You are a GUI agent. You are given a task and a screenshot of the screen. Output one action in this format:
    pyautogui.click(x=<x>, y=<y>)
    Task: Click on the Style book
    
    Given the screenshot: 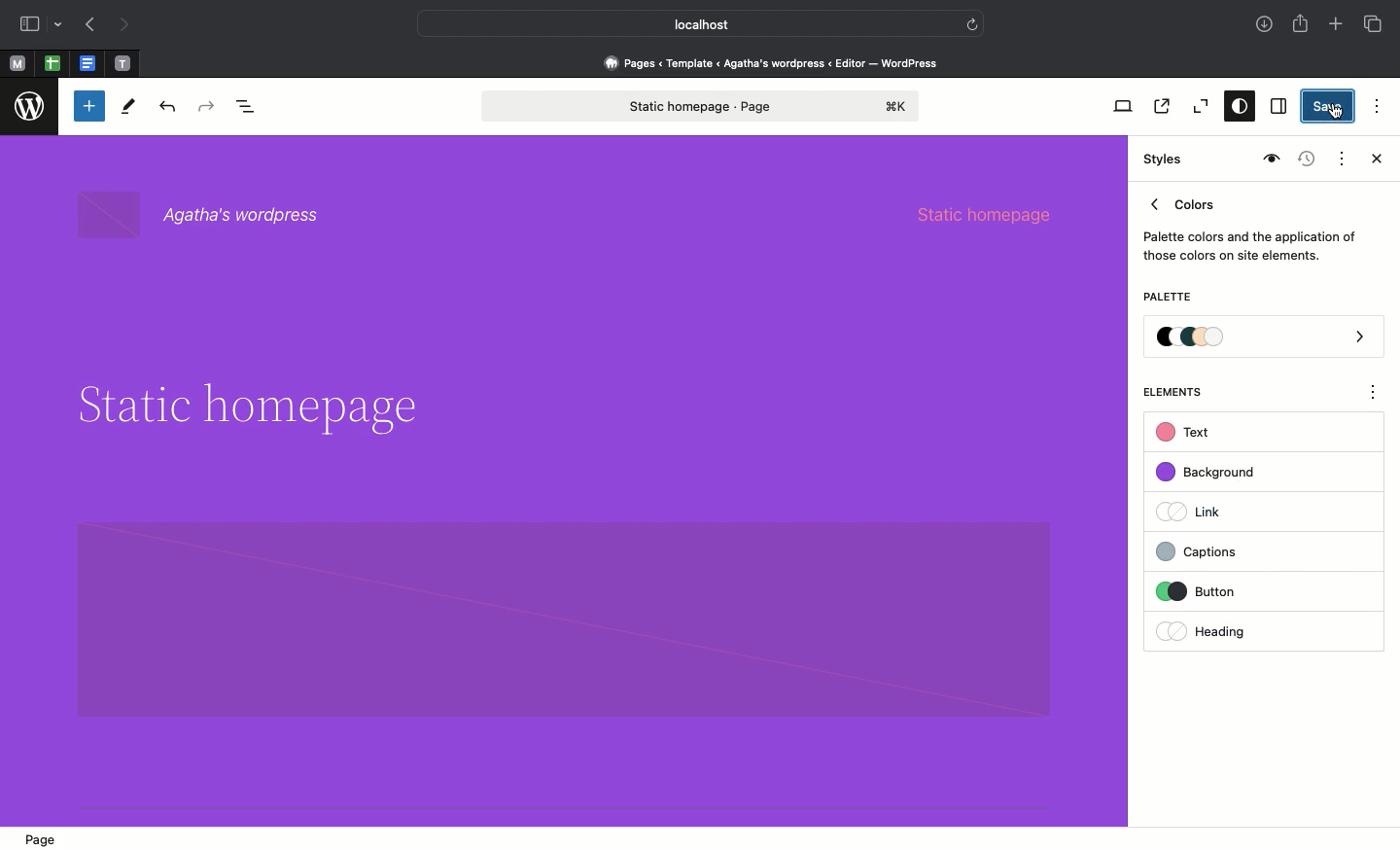 What is the action you would take?
    pyautogui.click(x=1269, y=159)
    